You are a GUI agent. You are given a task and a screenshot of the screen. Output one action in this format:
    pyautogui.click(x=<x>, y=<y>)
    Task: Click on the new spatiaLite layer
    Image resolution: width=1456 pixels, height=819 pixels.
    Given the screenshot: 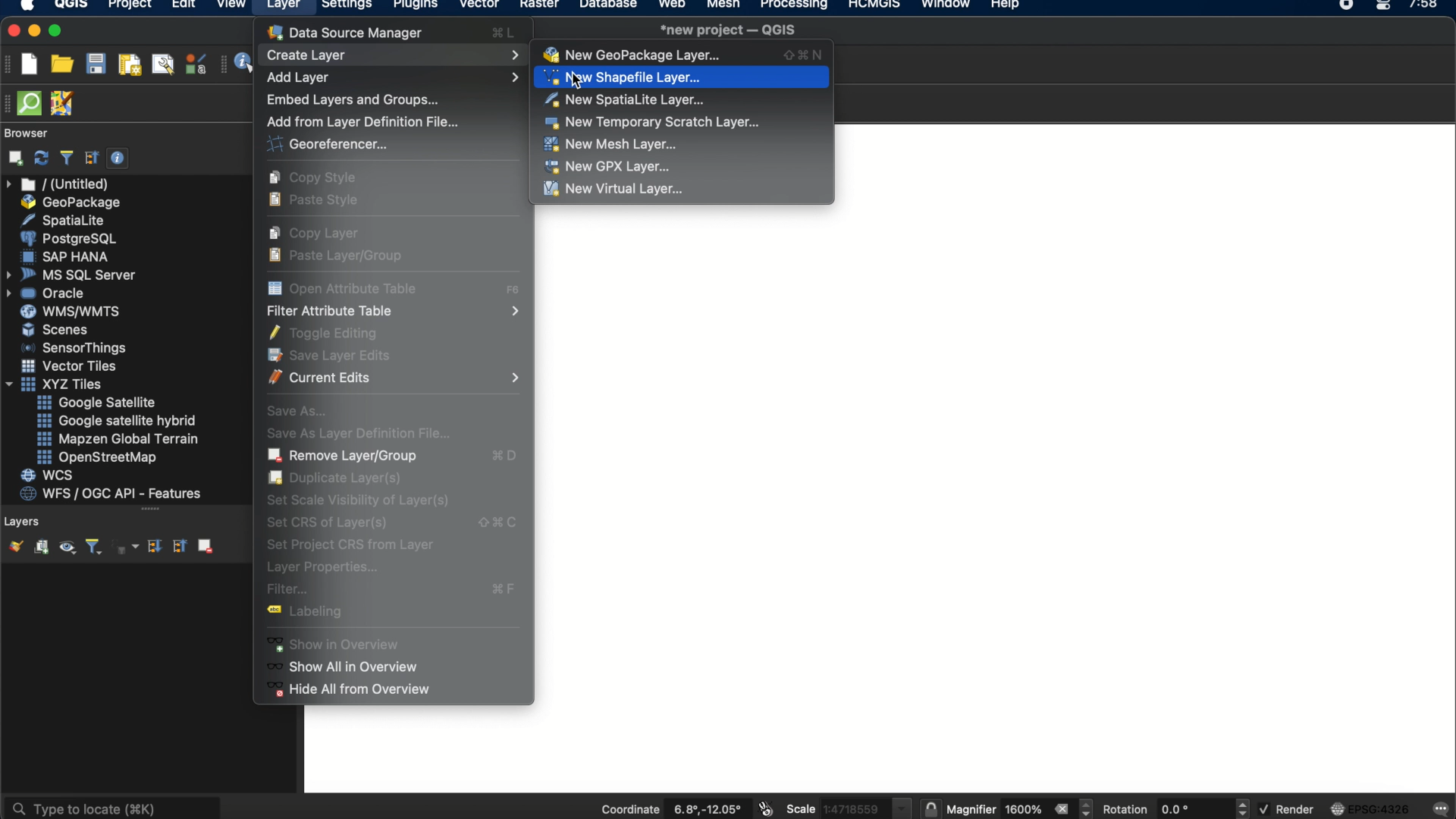 What is the action you would take?
    pyautogui.click(x=626, y=99)
    